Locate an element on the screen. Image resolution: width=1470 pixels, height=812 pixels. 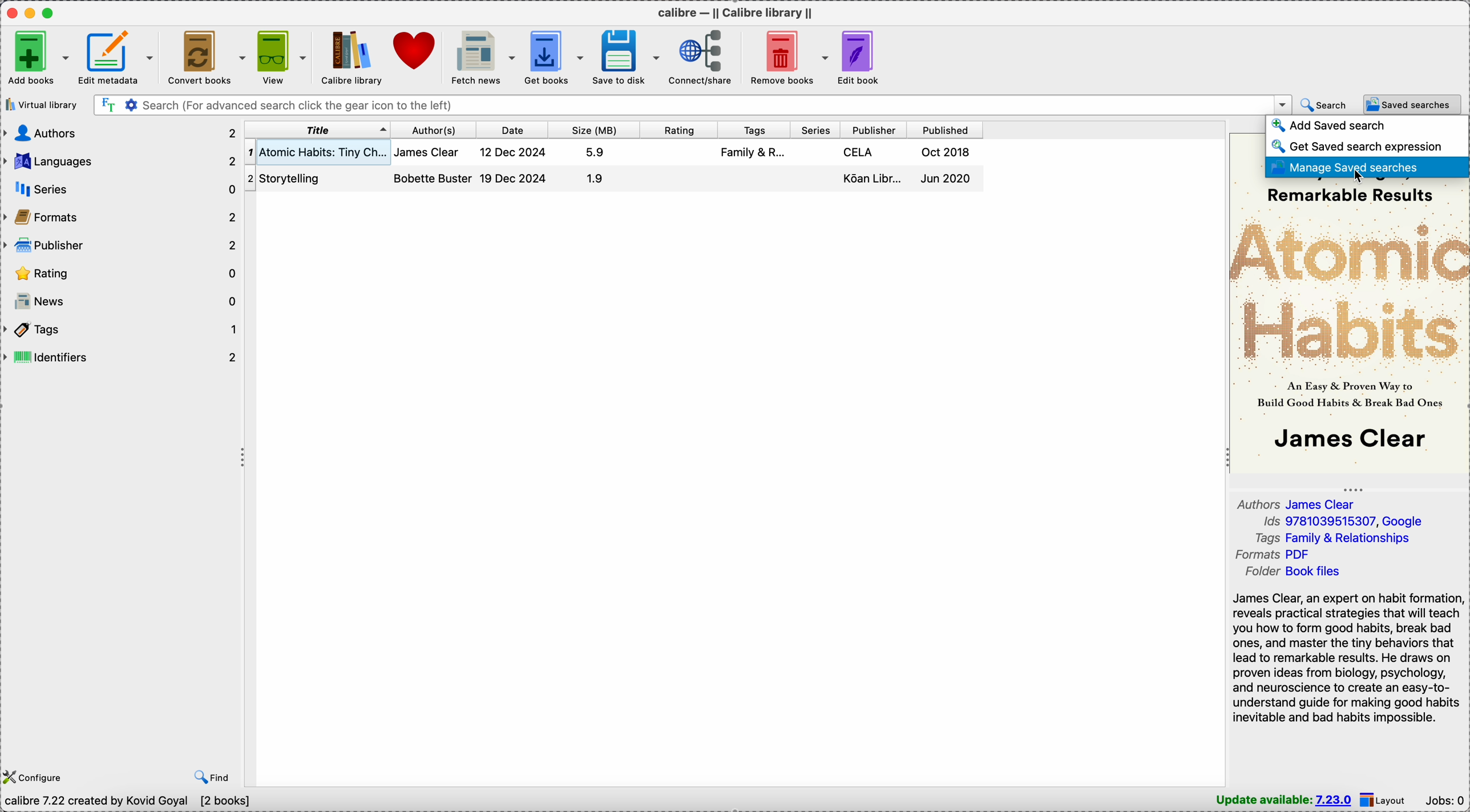
configure is located at coordinates (33, 777).